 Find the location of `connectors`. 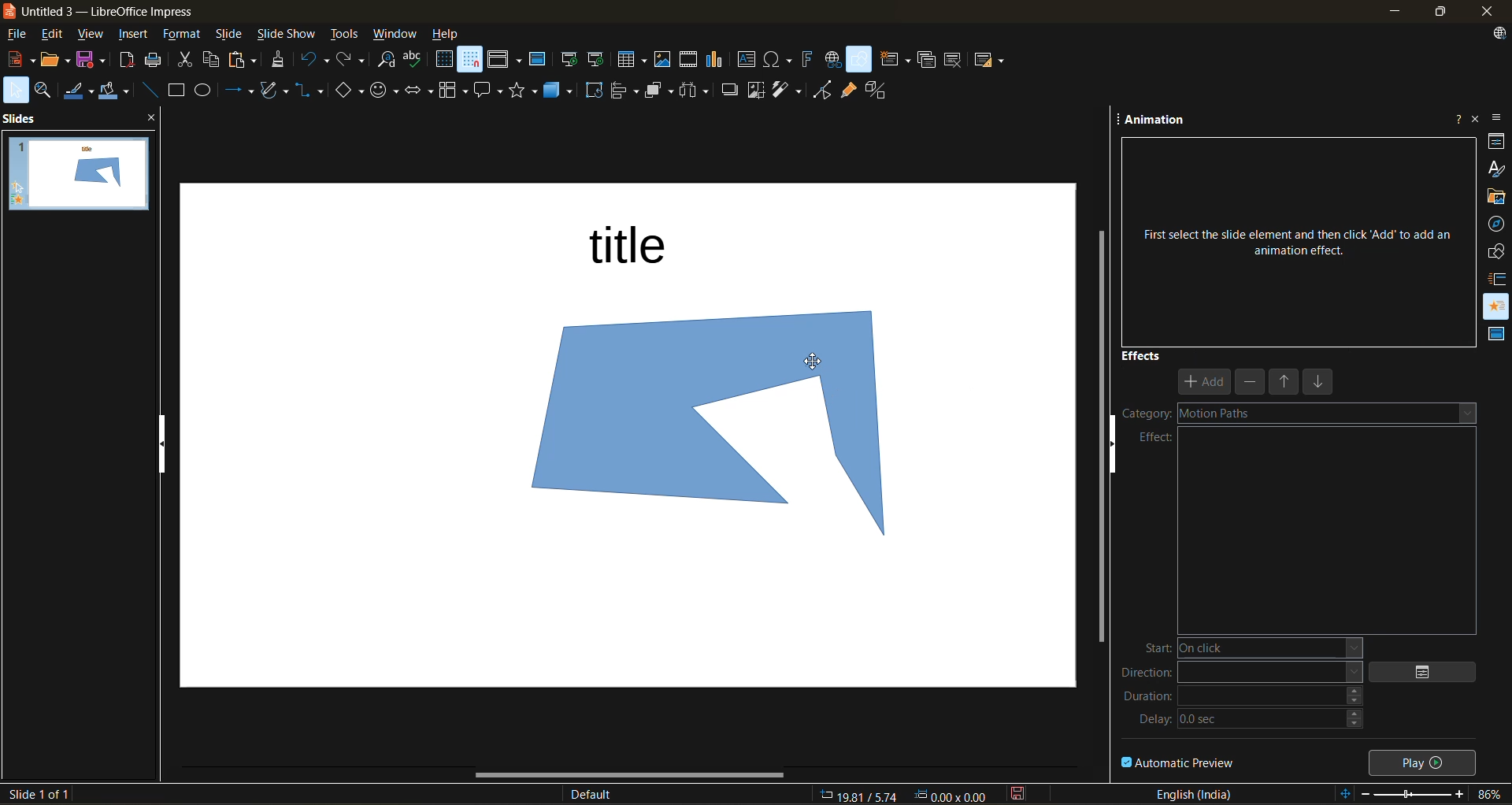

connectors is located at coordinates (311, 91).